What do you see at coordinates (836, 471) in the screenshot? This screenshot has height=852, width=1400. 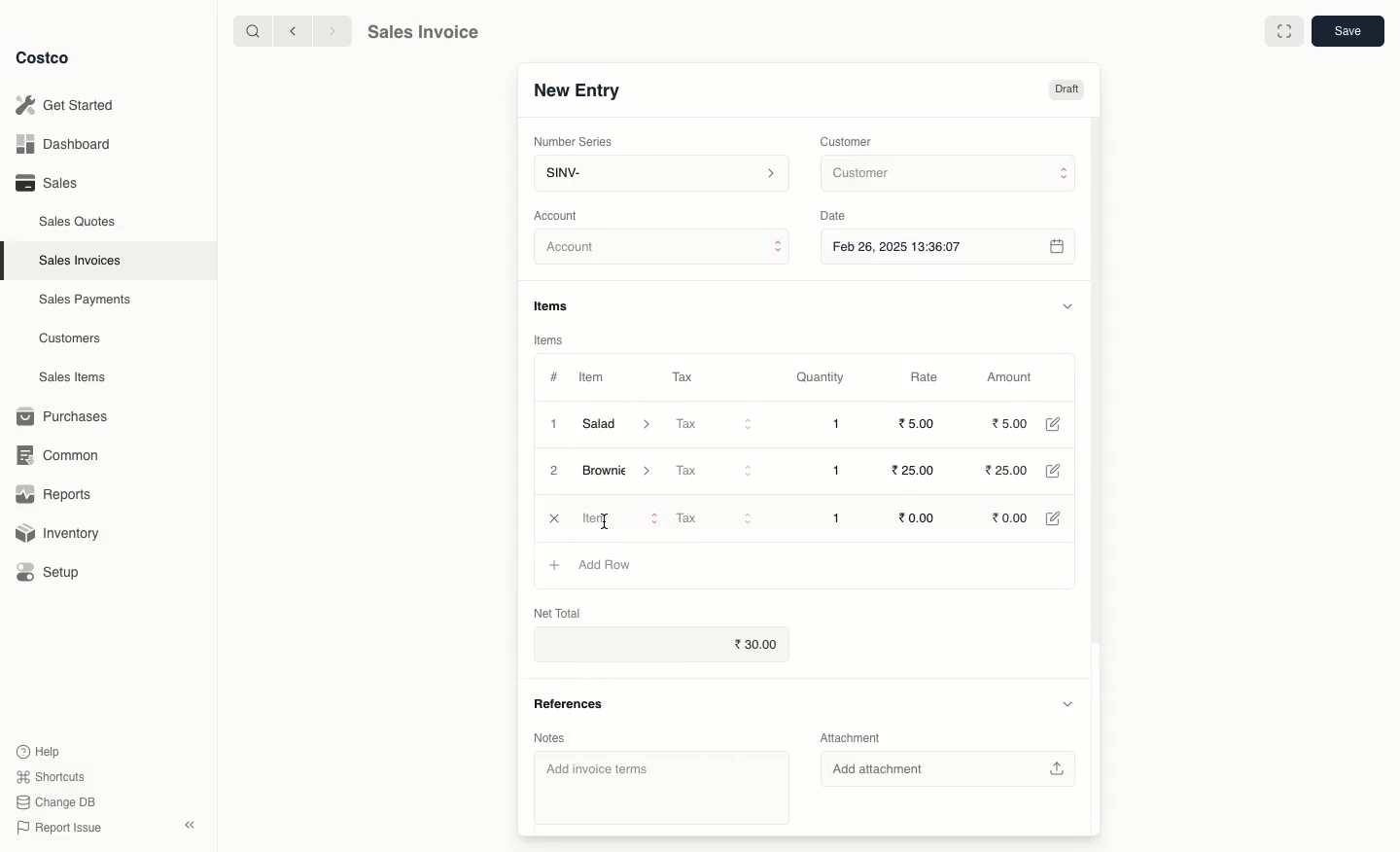 I see `1` at bounding box center [836, 471].